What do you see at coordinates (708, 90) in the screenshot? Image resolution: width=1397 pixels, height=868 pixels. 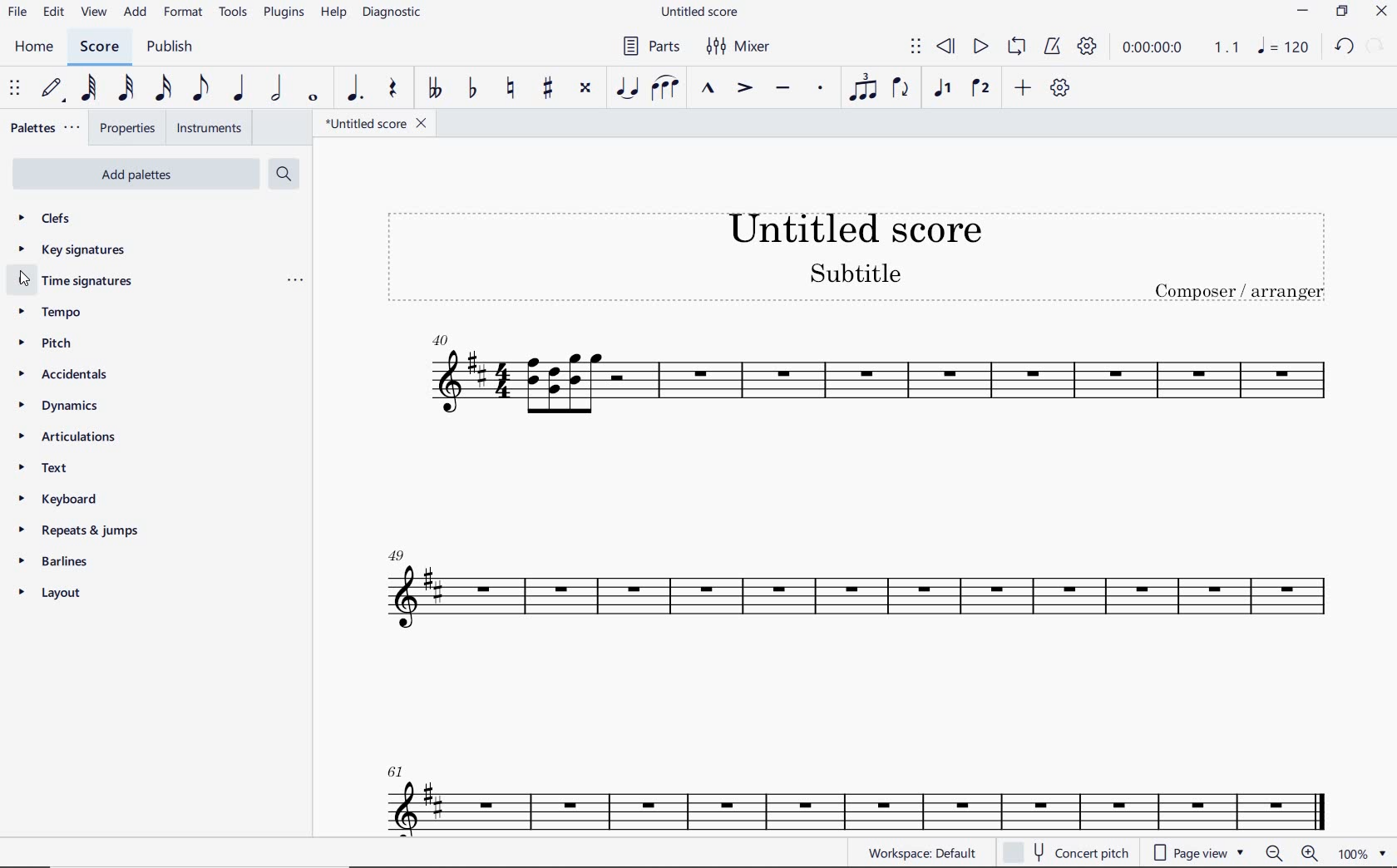 I see `MARCATO` at bounding box center [708, 90].